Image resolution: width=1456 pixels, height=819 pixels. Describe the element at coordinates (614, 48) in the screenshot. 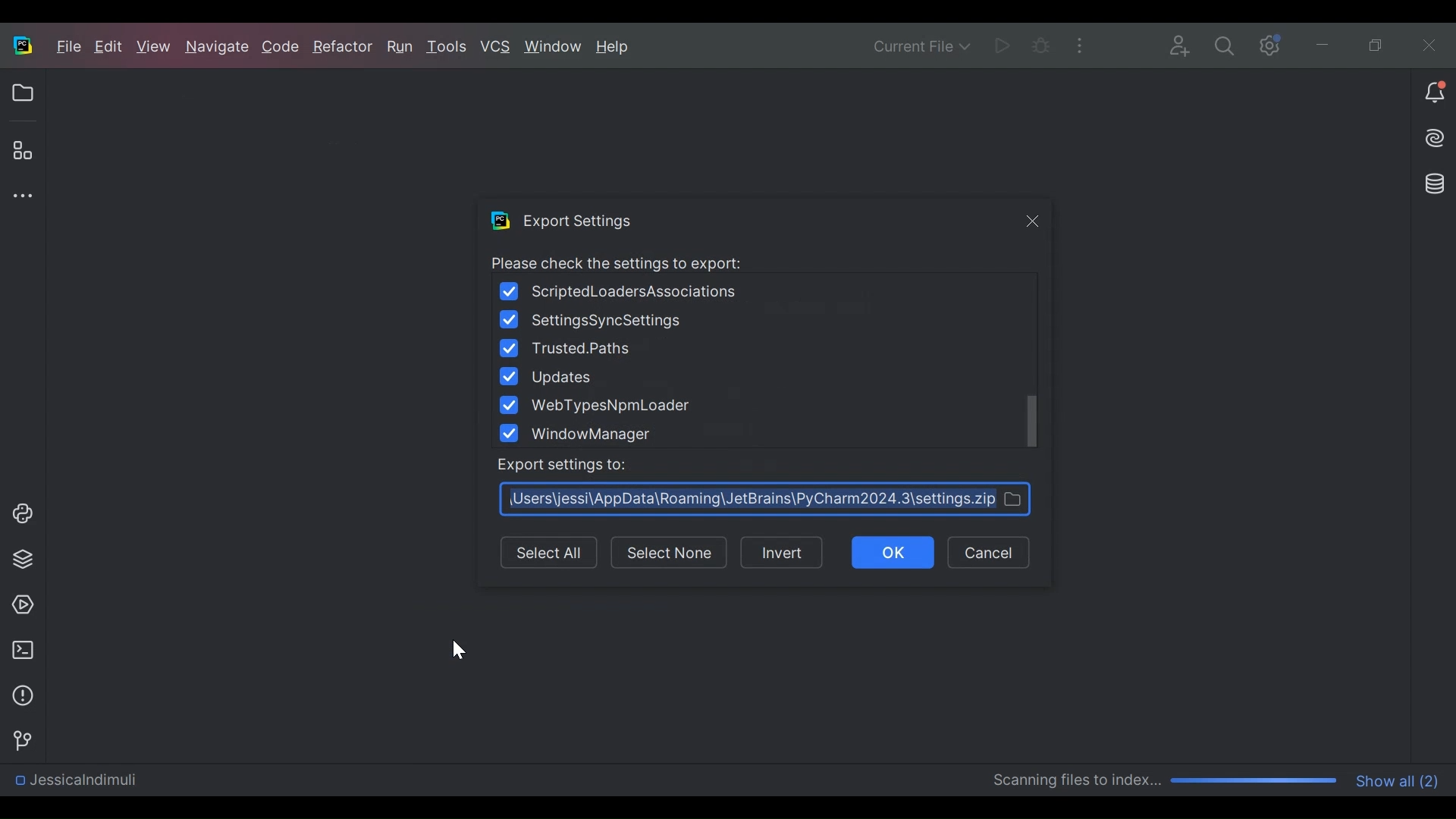

I see `Help` at that location.